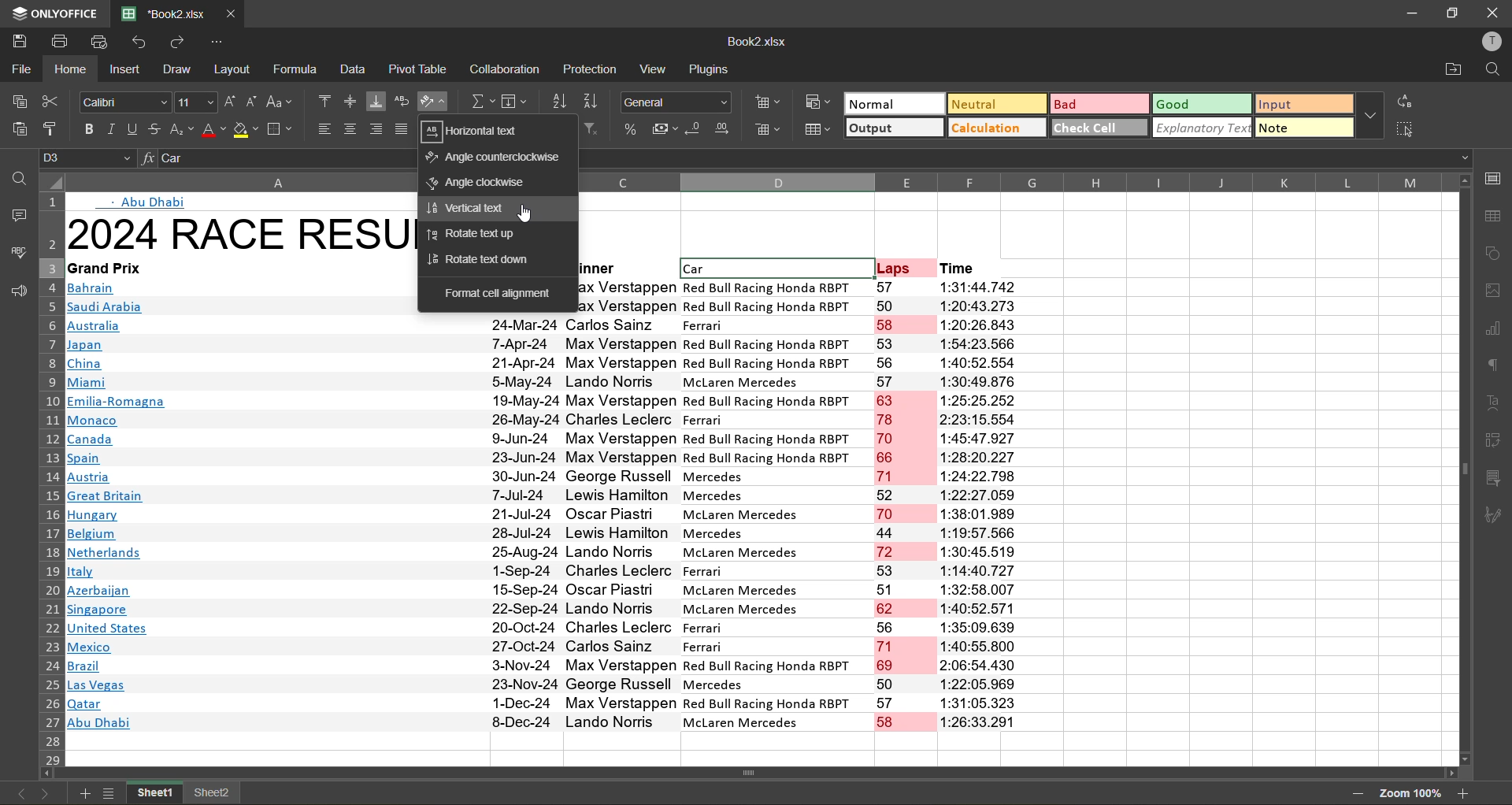 The height and width of the screenshot is (805, 1512). Describe the element at coordinates (71, 73) in the screenshot. I see `home` at that location.